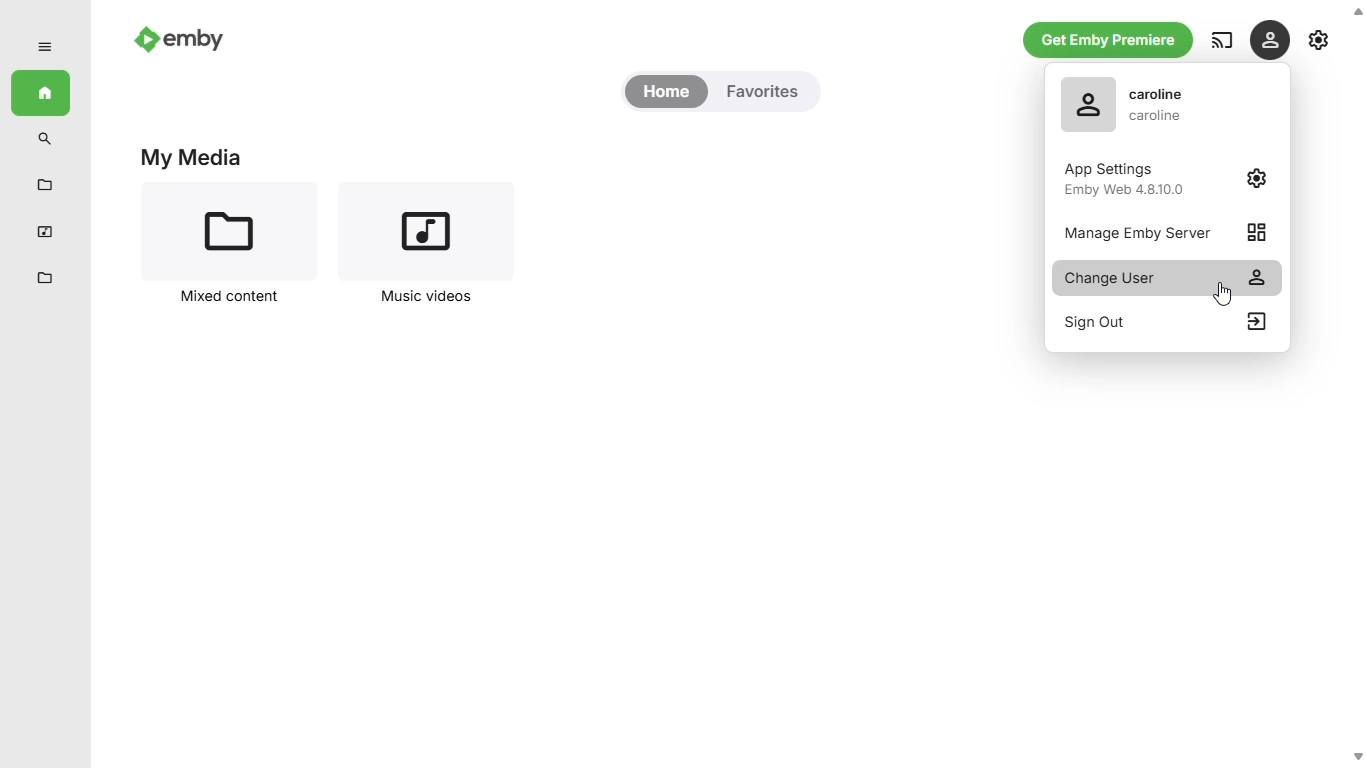 The height and width of the screenshot is (768, 1366). I want to click on play on another device, so click(1222, 40).